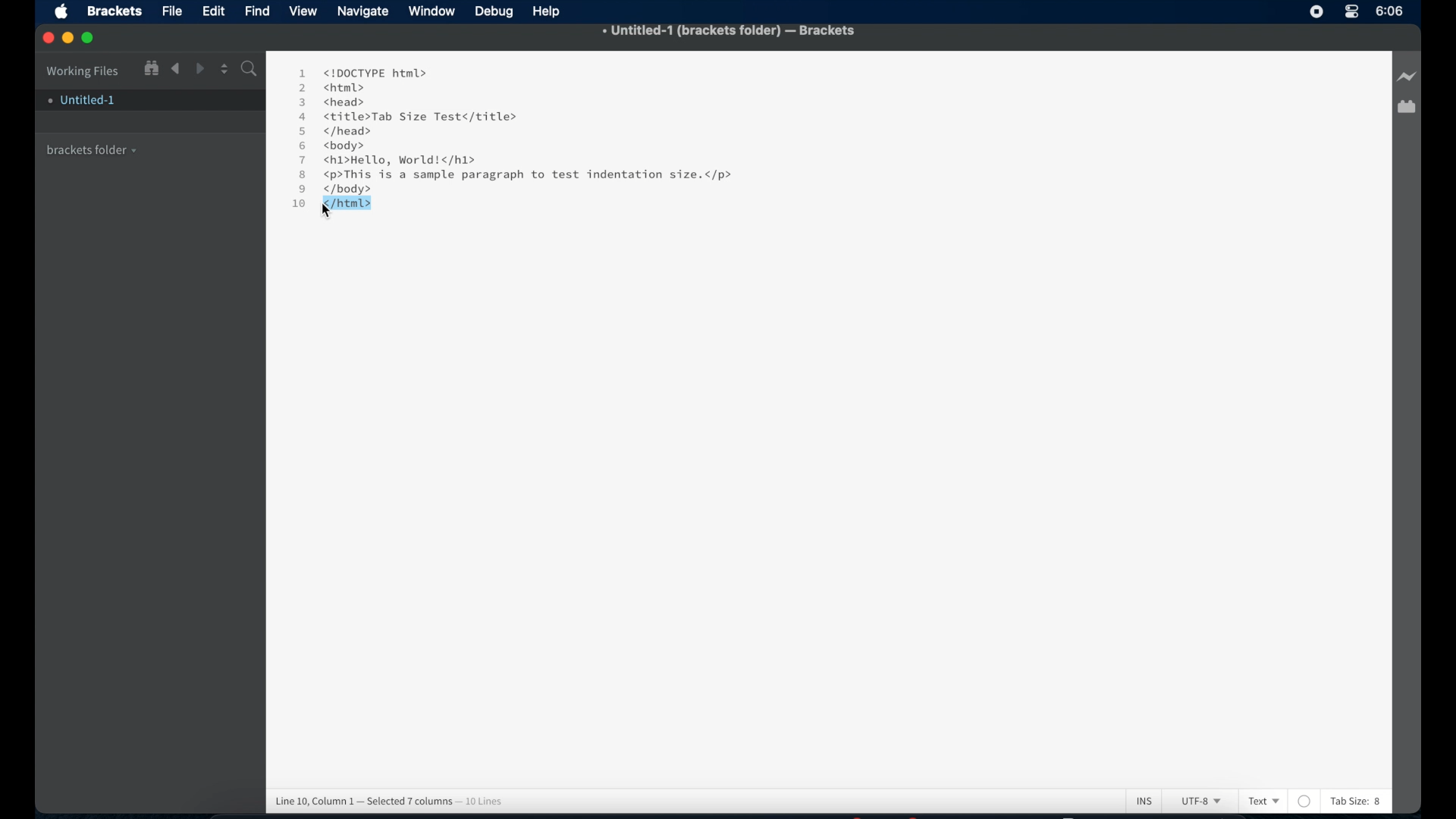 The width and height of the screenshot is (1456, 819). I want to click on 8, so click(1379, 802).